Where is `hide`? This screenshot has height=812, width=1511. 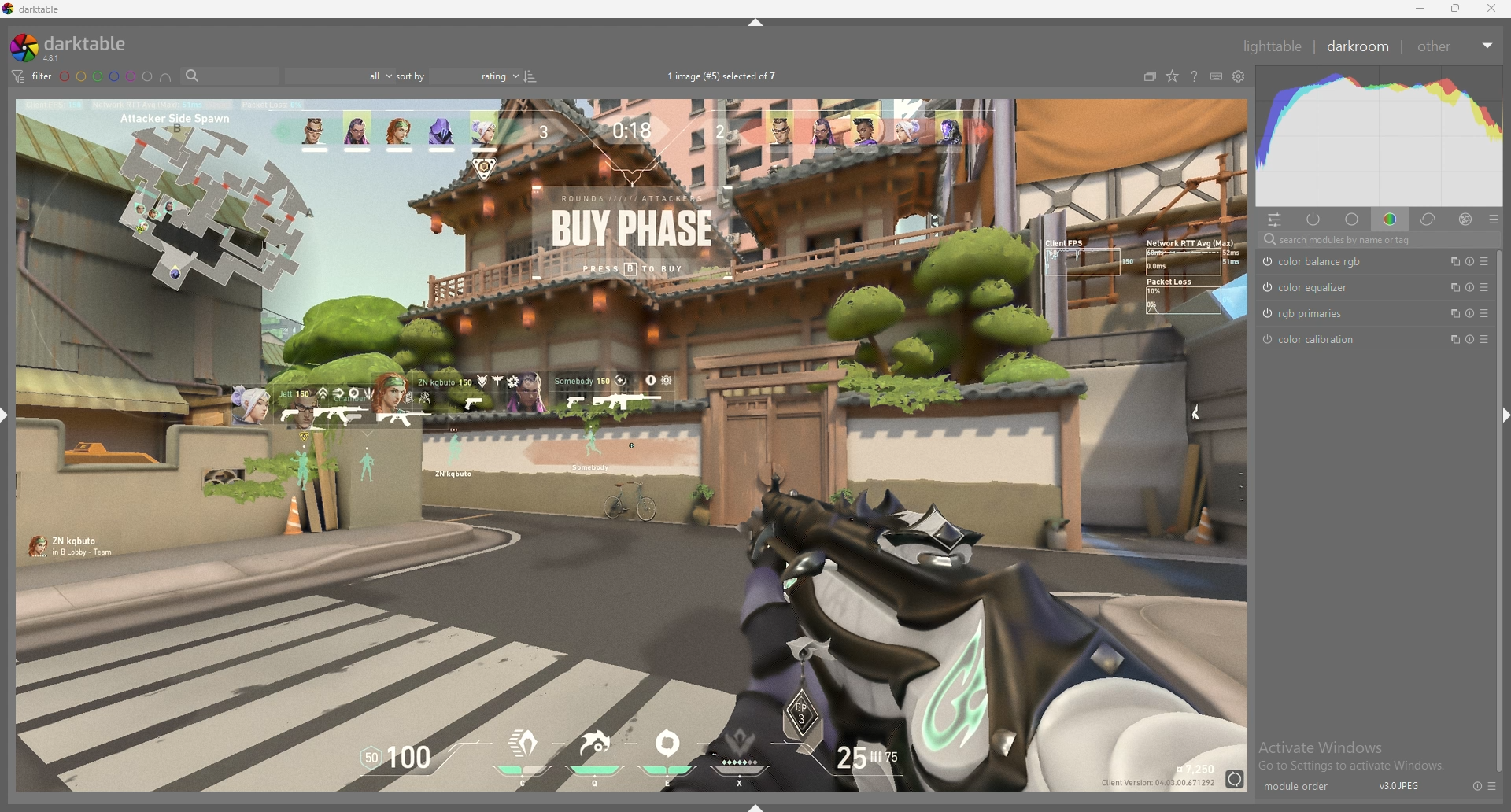 hide is located at coordinates (758, 22).